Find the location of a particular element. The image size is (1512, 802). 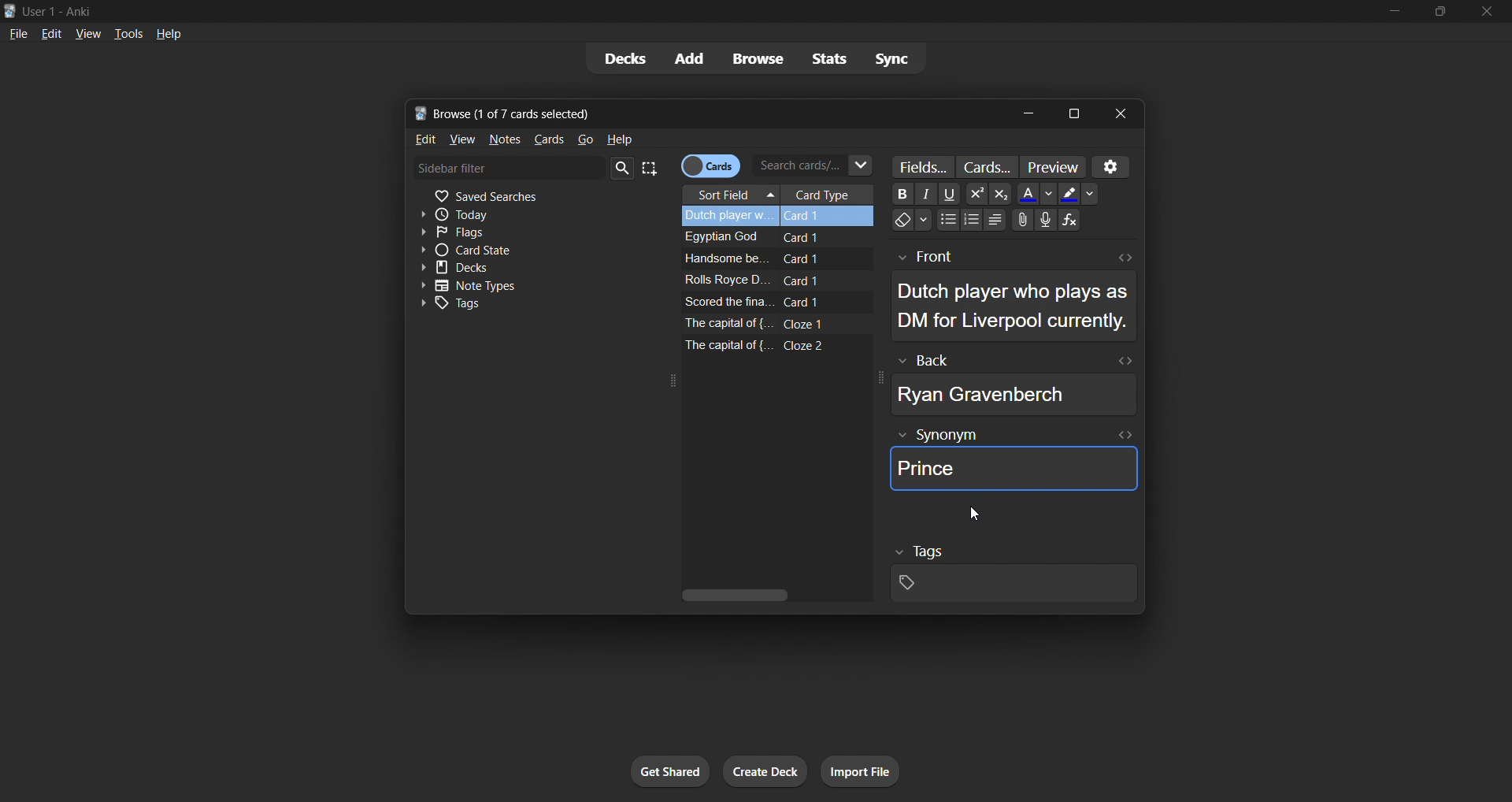

Attachments is located at coordinates (1020, 223).